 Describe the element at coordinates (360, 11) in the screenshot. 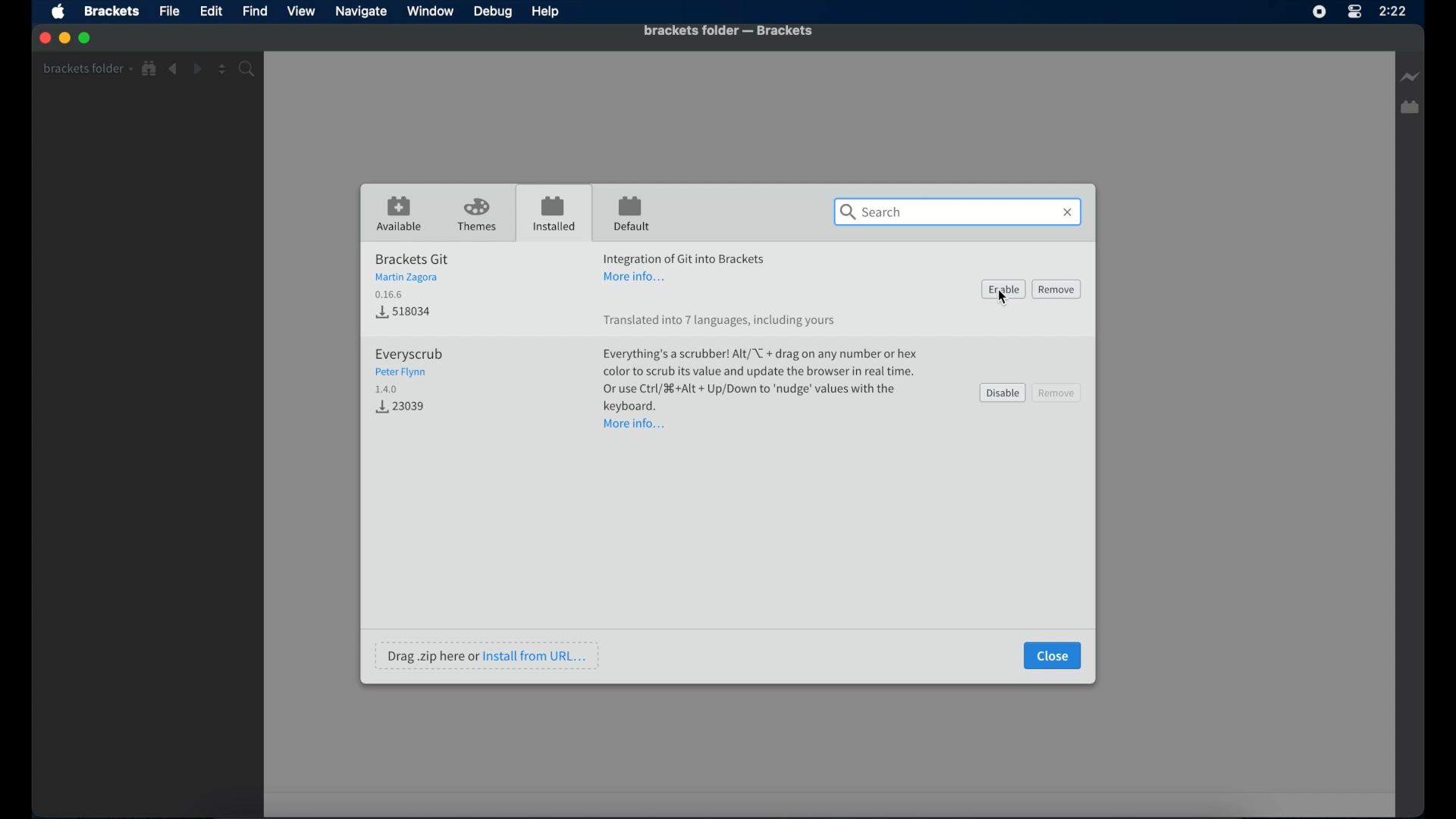

I see `navigate` at that location.